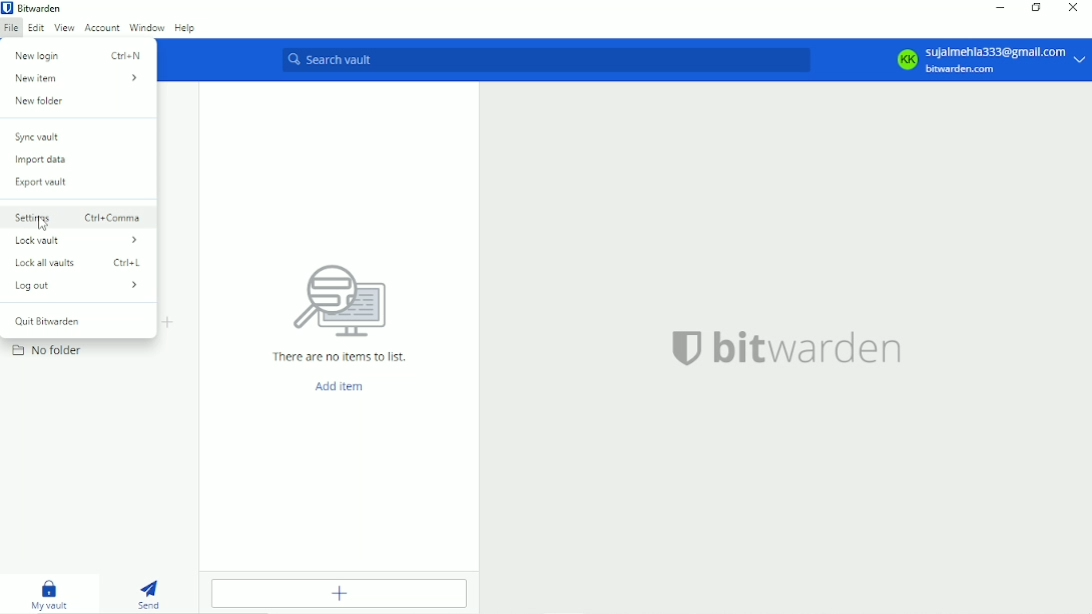 The image size is (1092, 614). Describe the element at coordinates (185, 27) in the screenshot. I see `Help` at that location.